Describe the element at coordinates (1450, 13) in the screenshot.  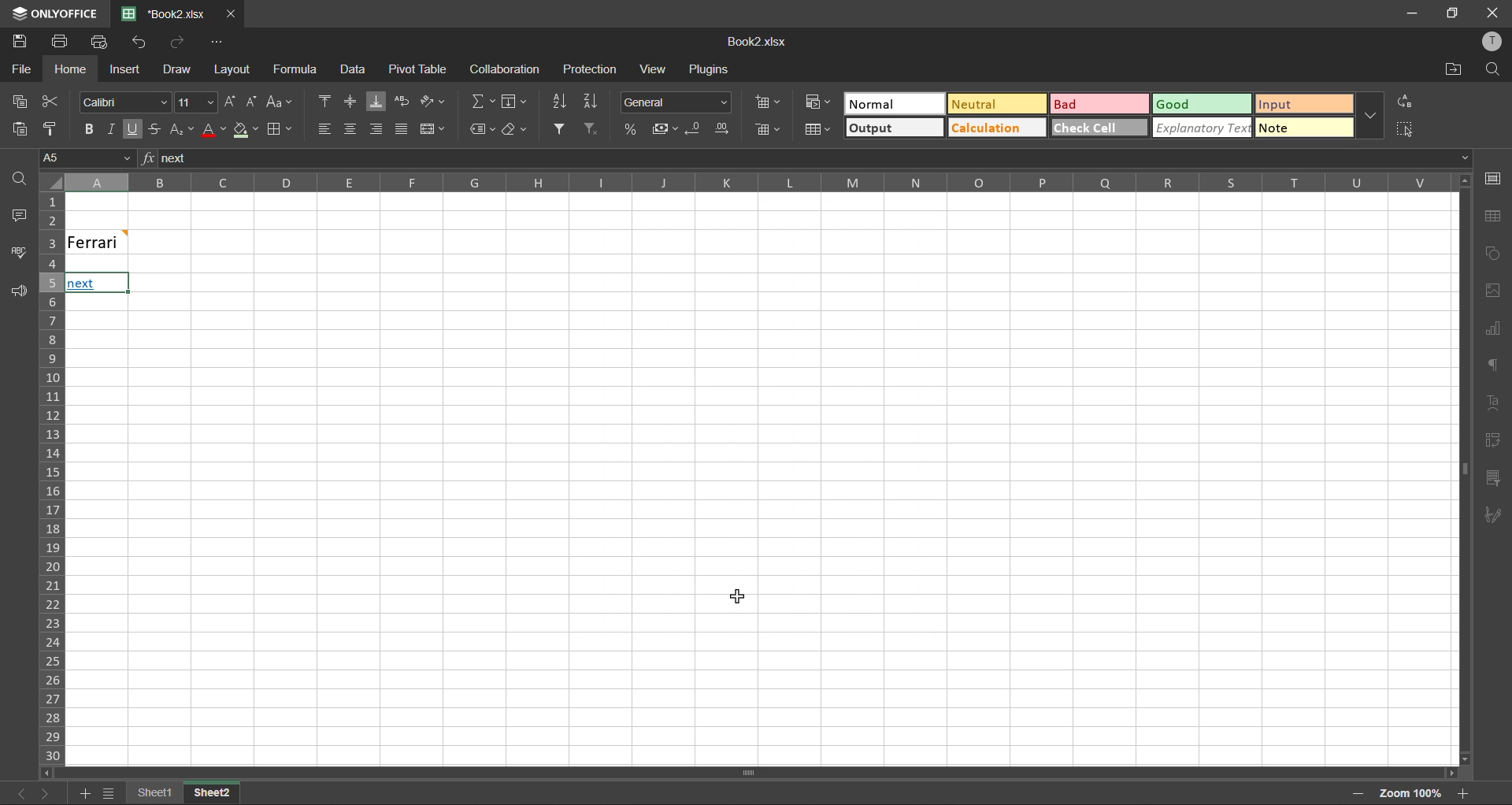
I see `maximize` at that location.